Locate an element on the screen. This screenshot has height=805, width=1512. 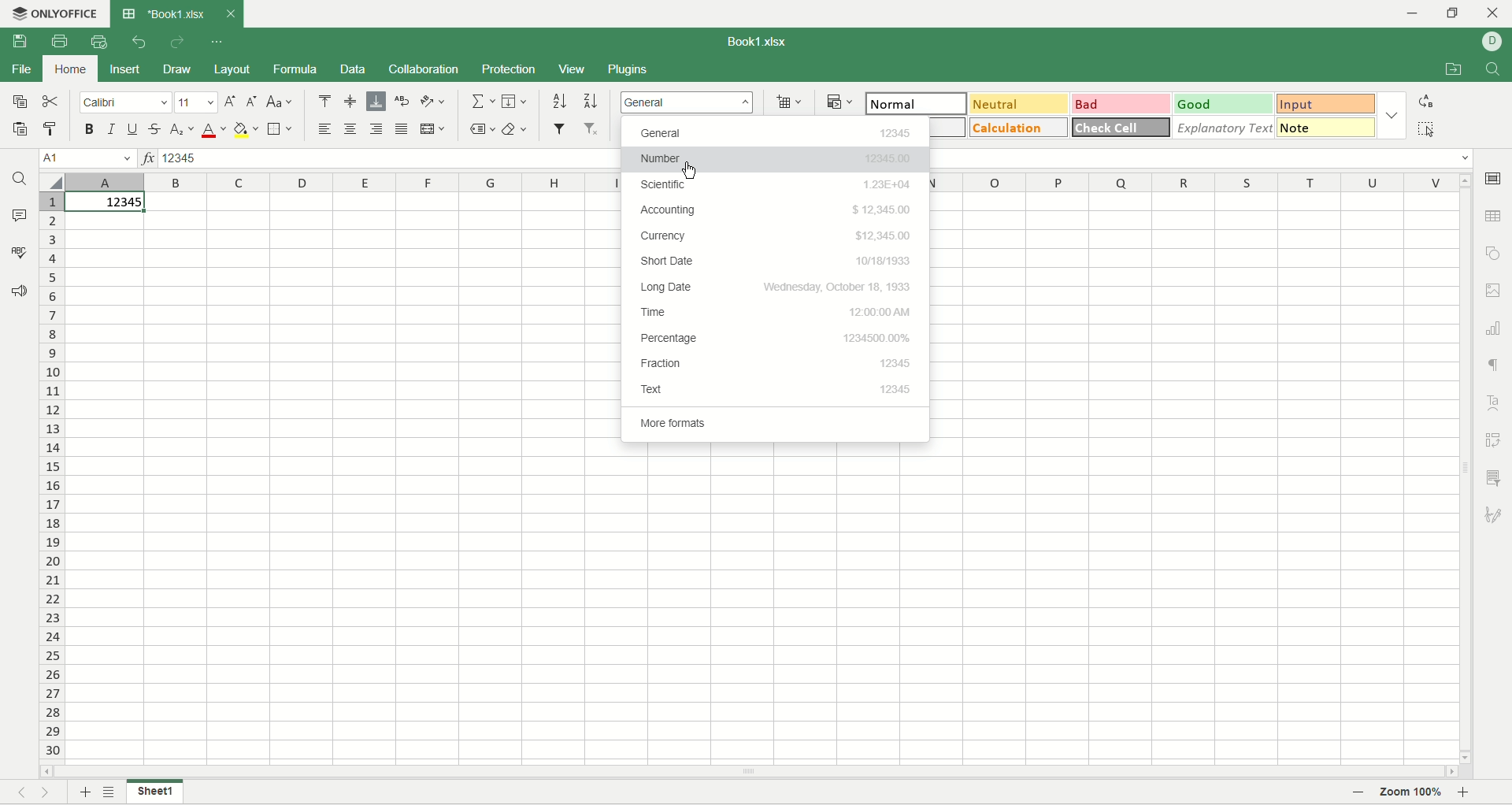
number format is located at coordinates (687, 102).